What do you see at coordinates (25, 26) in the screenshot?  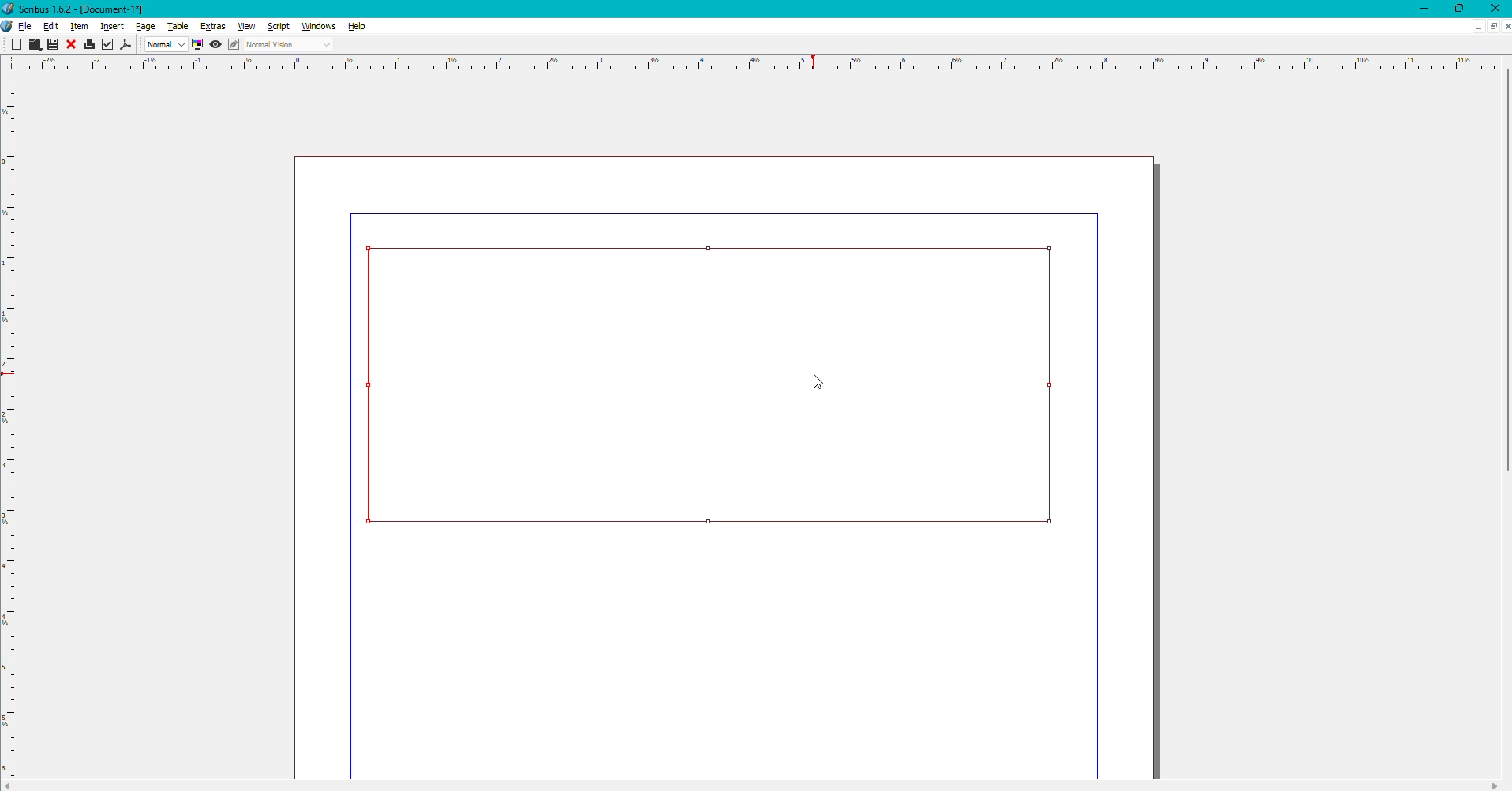 I see `File` at bounding box center [25, 26].